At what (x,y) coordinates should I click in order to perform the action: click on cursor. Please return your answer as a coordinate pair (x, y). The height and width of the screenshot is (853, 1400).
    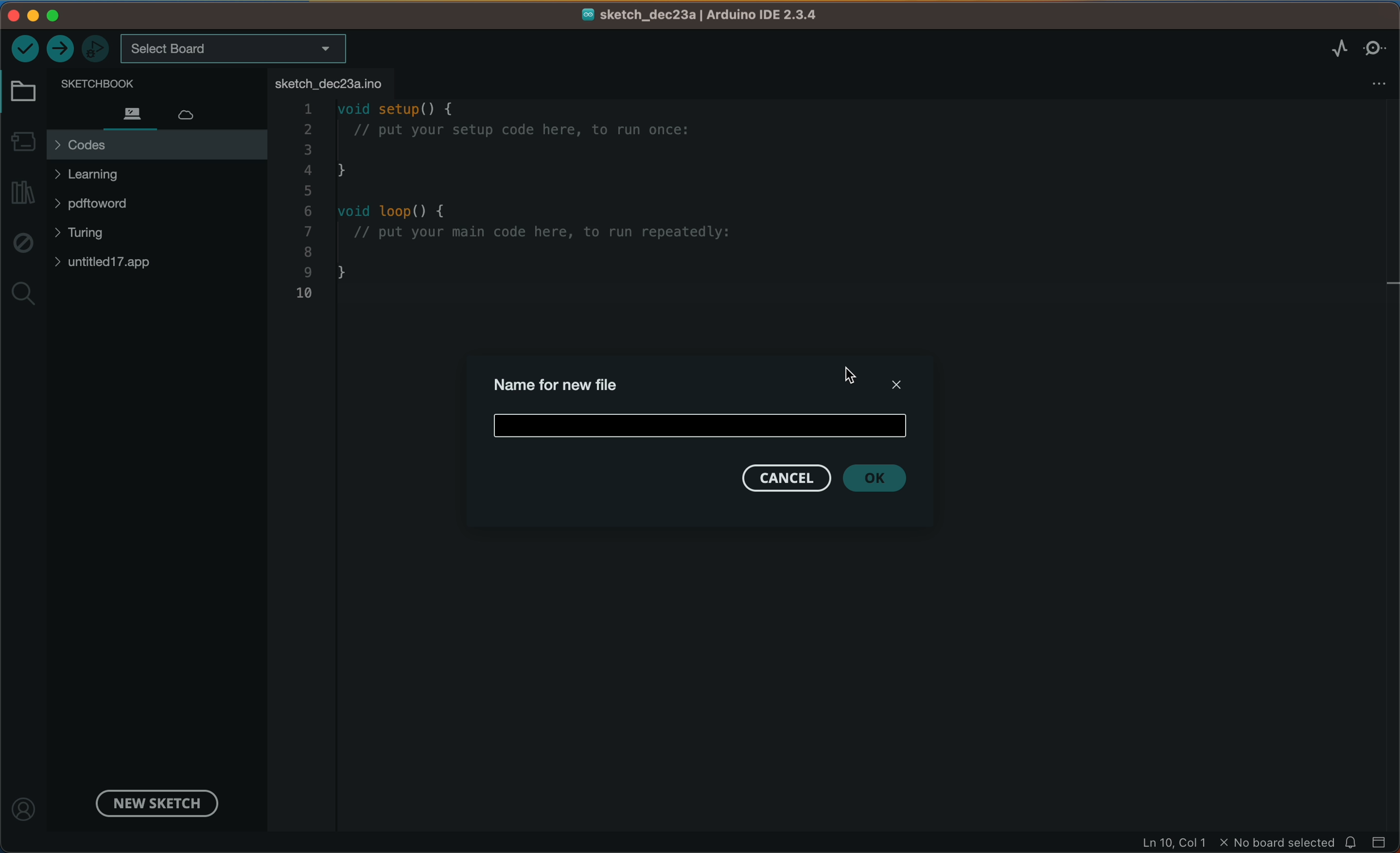
    Looking at the image, I should click on (857, 379).